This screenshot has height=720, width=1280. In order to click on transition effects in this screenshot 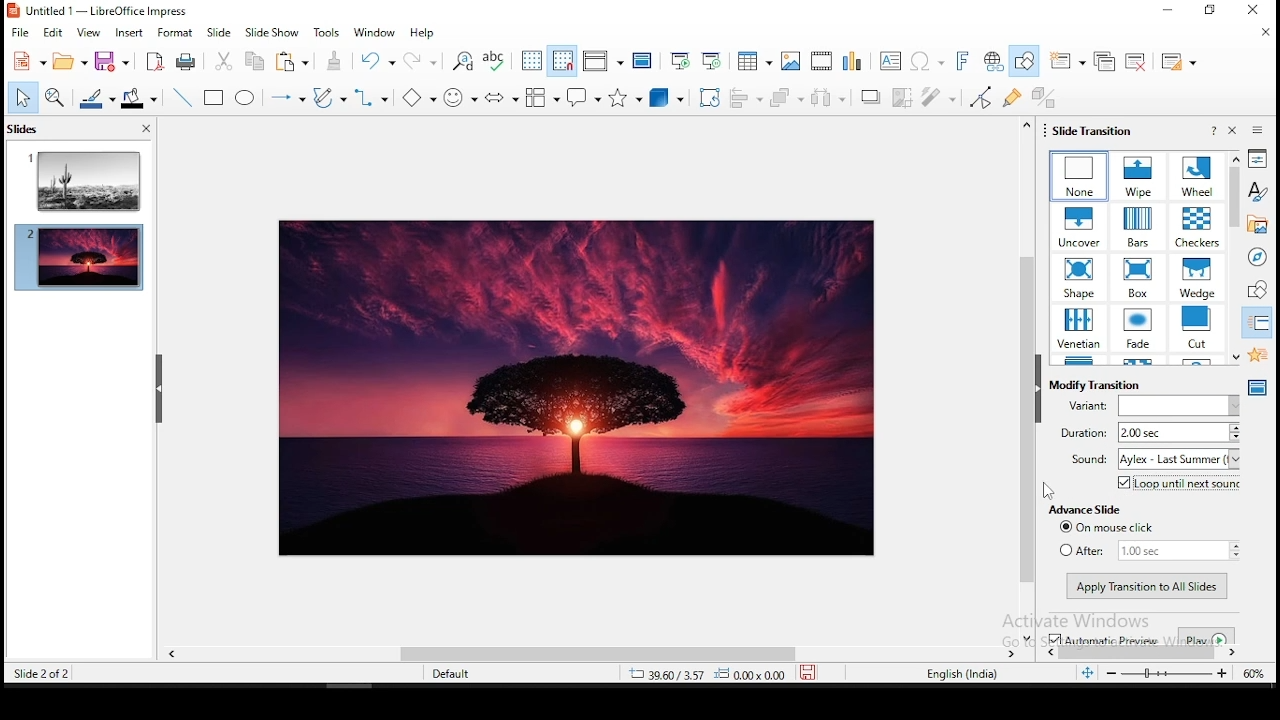, I will do `click(1136, 327)`.